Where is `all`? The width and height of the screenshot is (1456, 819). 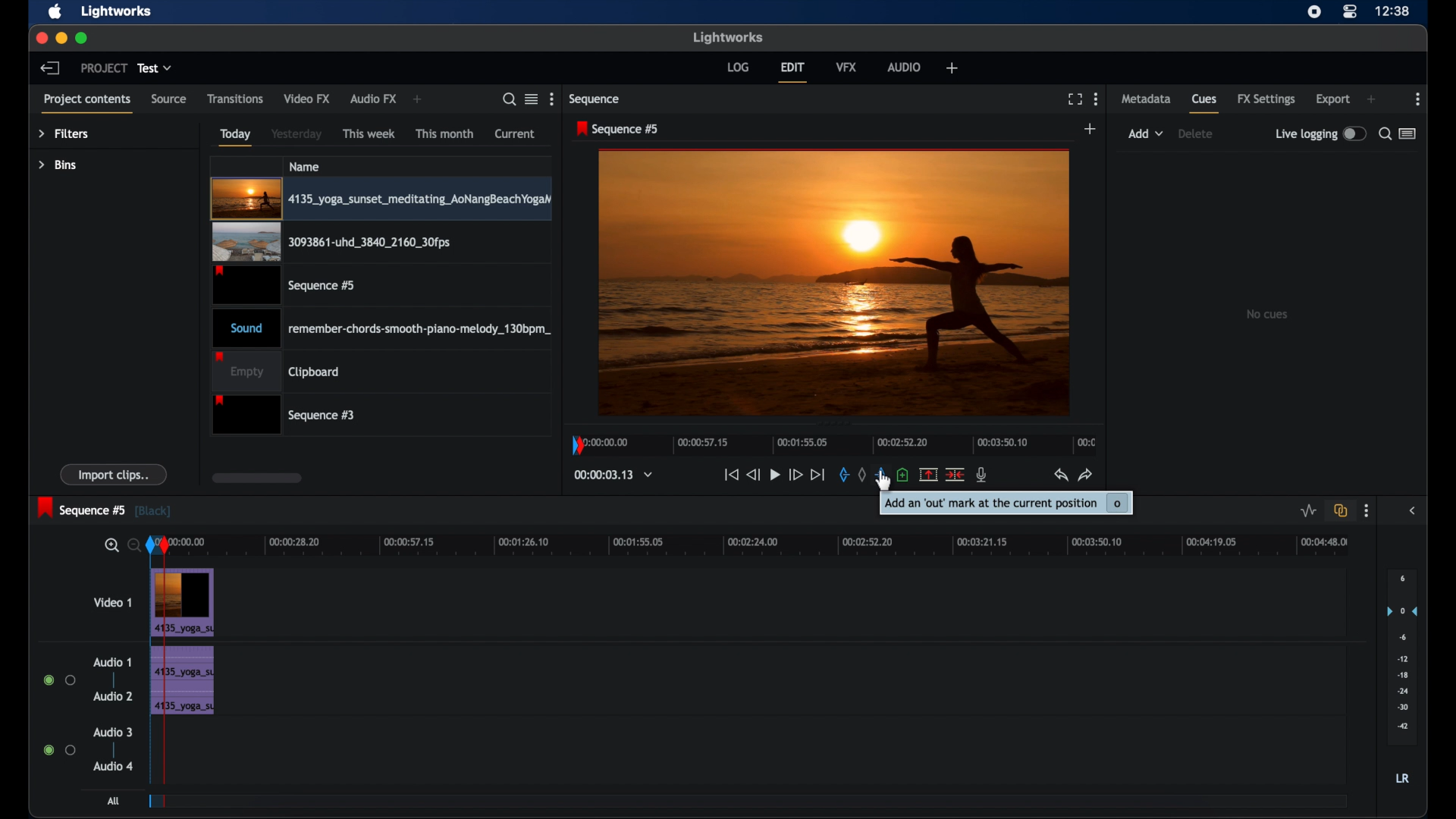 all is located at coordinates (115, 800).